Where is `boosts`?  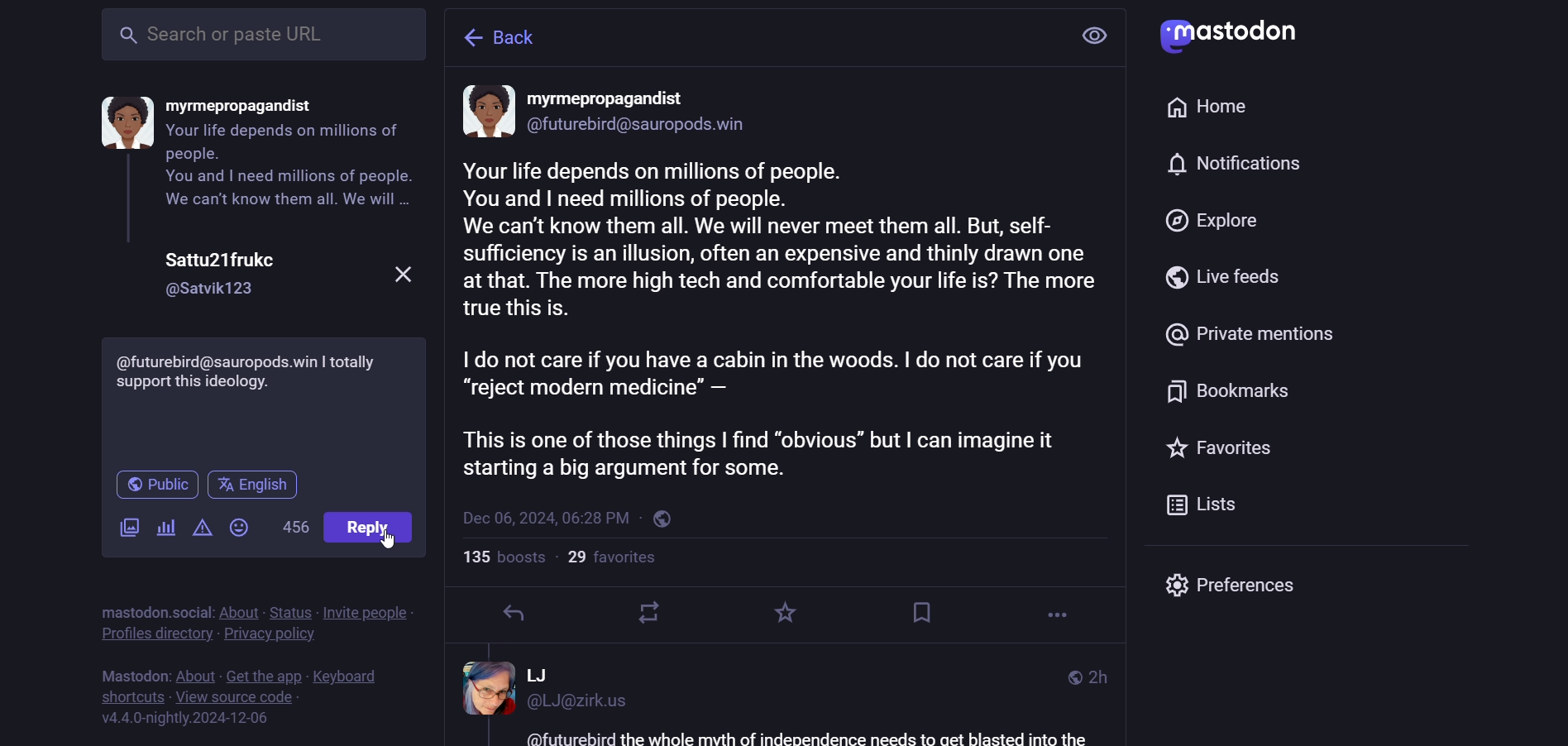
boosts is located at coordinates (502, 557).